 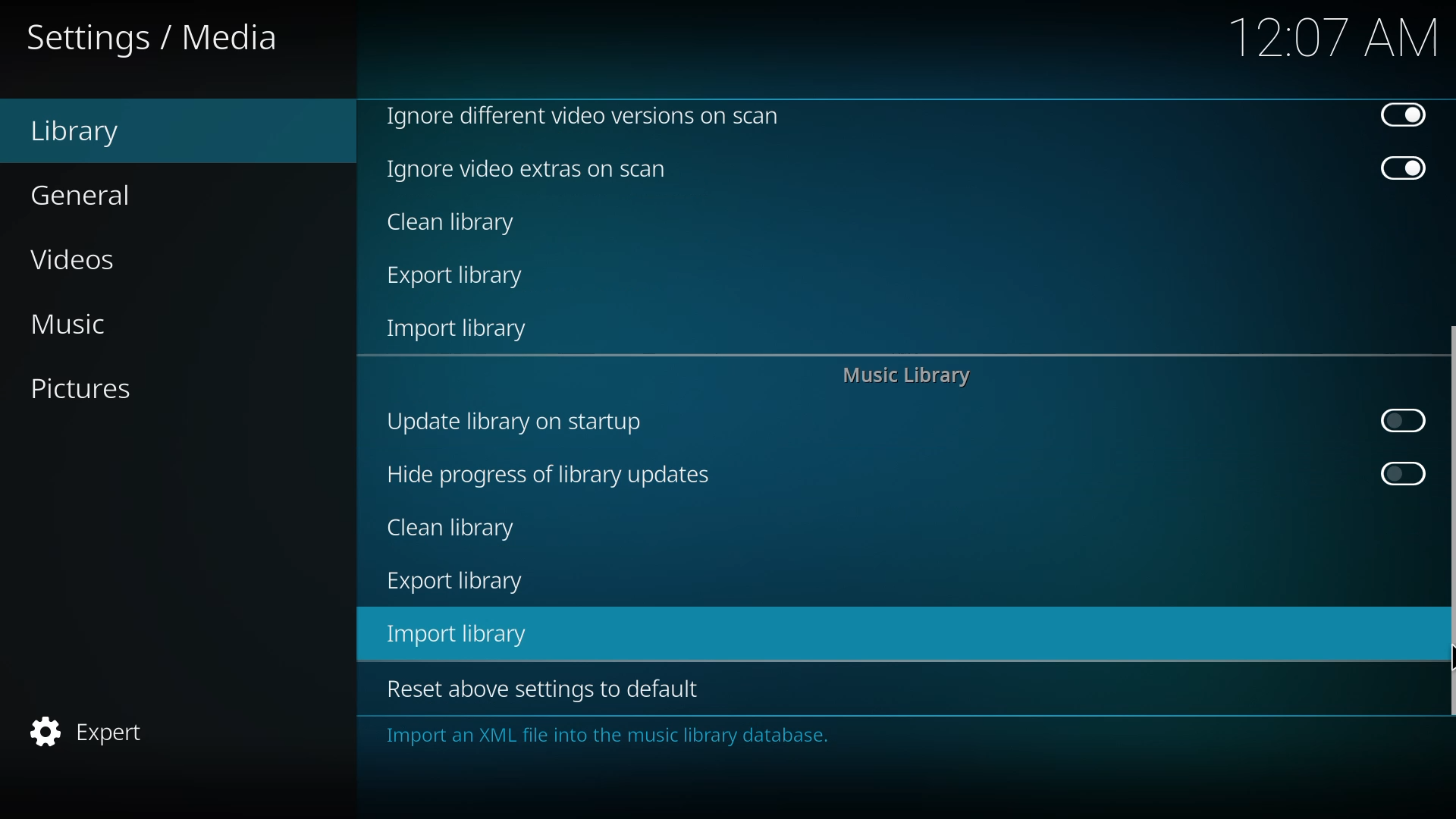 What do you see at coordinates (67, 324) in the screenshot?
I see `music` at bounding box center [67, 324].